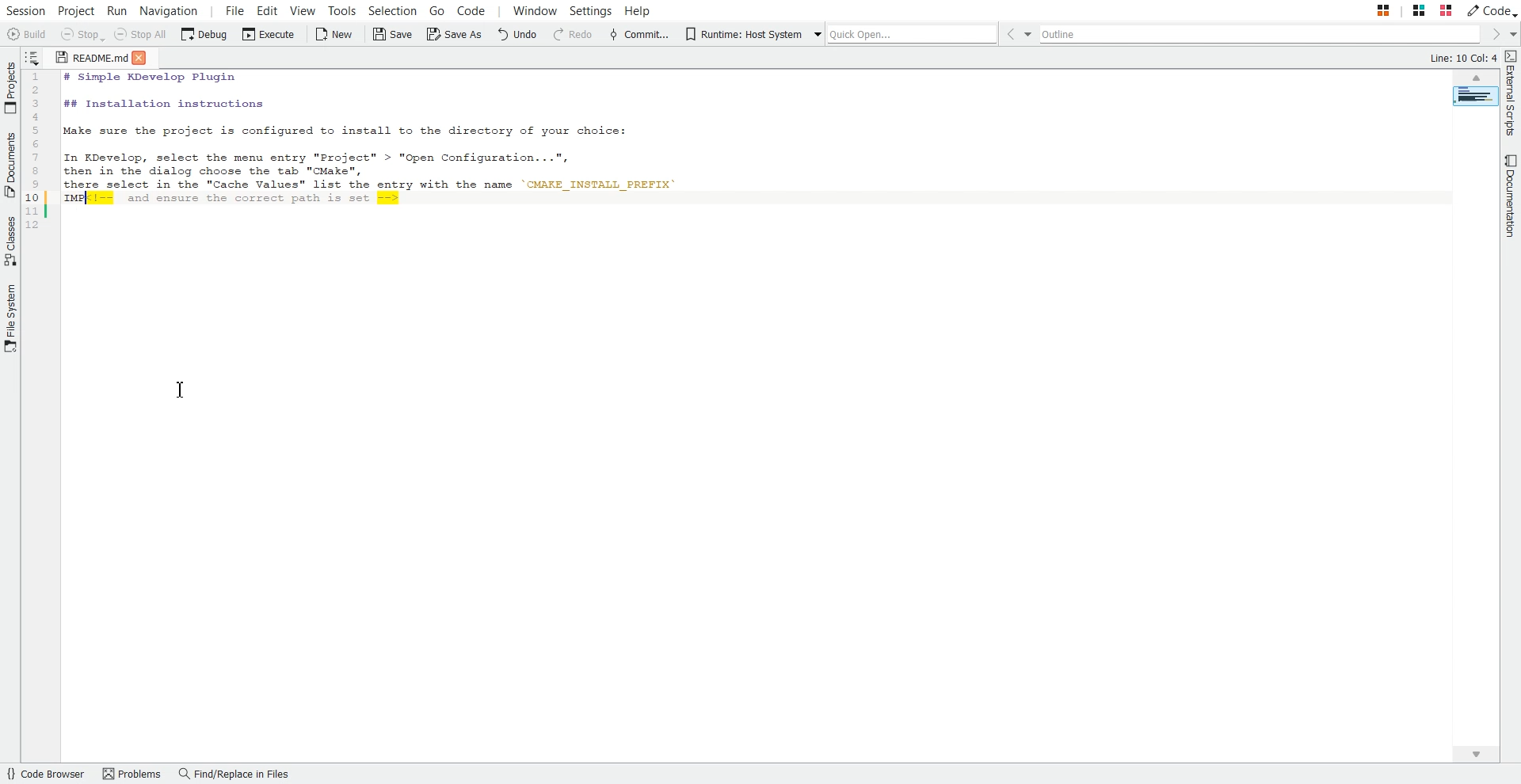 Image resolution: width=1521 pixels, height=784 pixels. What do you see at coordinates (383, 186) in the screenshot?
I see `there select is the "Cache Values" list the entry with the name 'CMAKE_INSTALL_PREFIX'` at bounding box center [383, 186].